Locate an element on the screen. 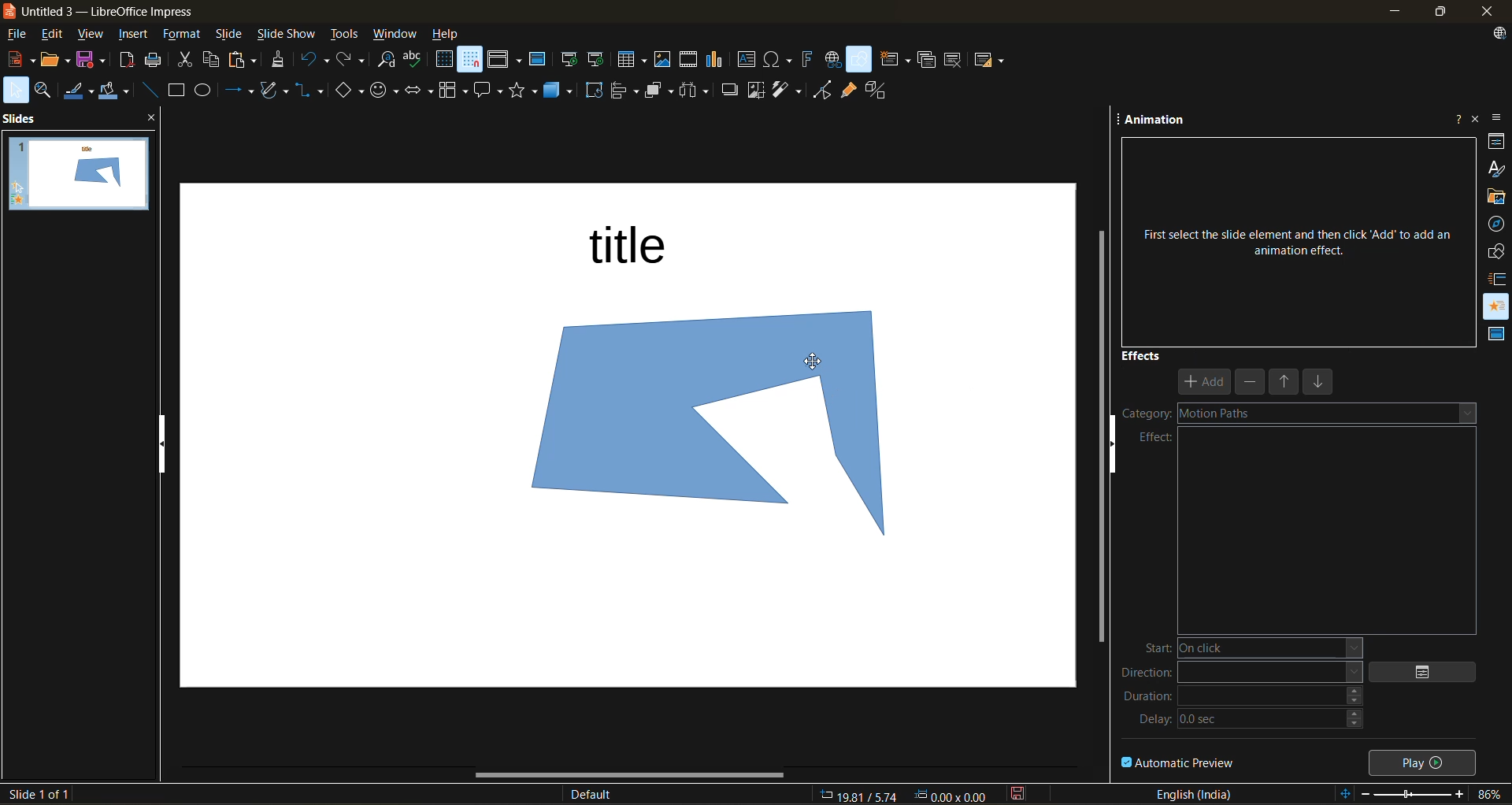 Image resolution: width=1512 pixels, height=805 pixels. block arrows is located at coordinates (421, 92).